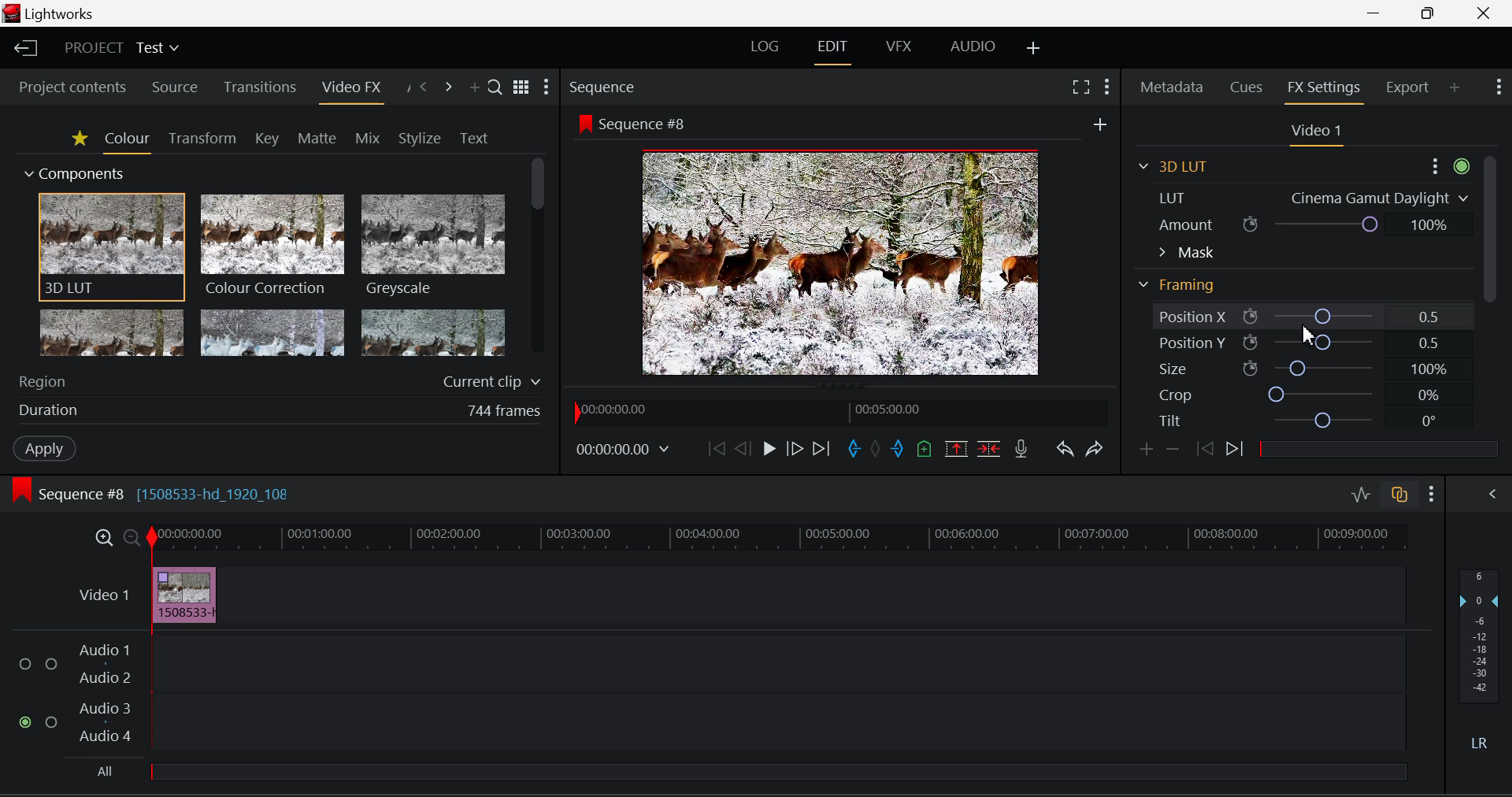  What do you see at coordinates (715, 451) in the screenshot?
I see `To Start` at bounding box center [715, 451].